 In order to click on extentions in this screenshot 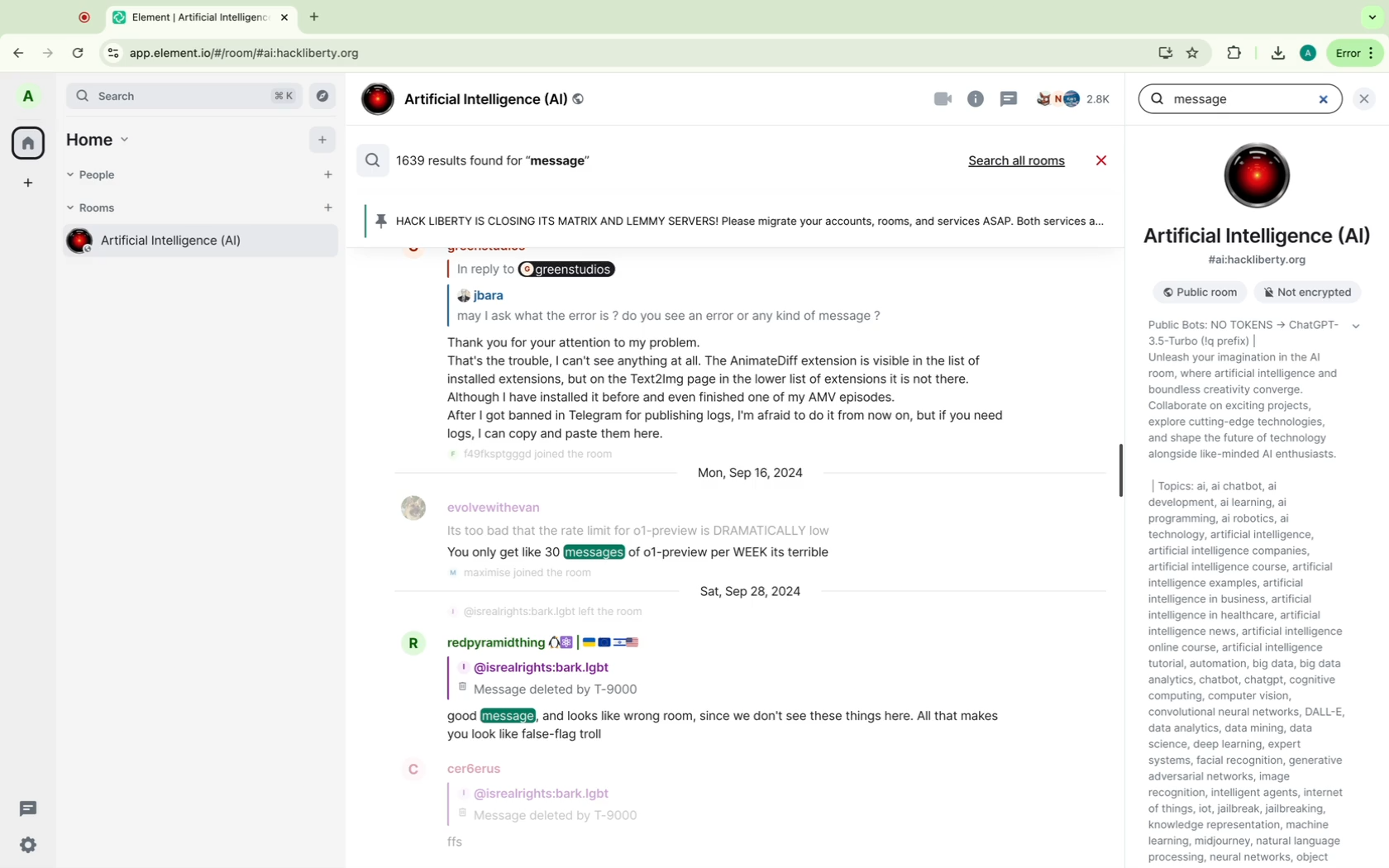, I will do `click(1194, 53)`.